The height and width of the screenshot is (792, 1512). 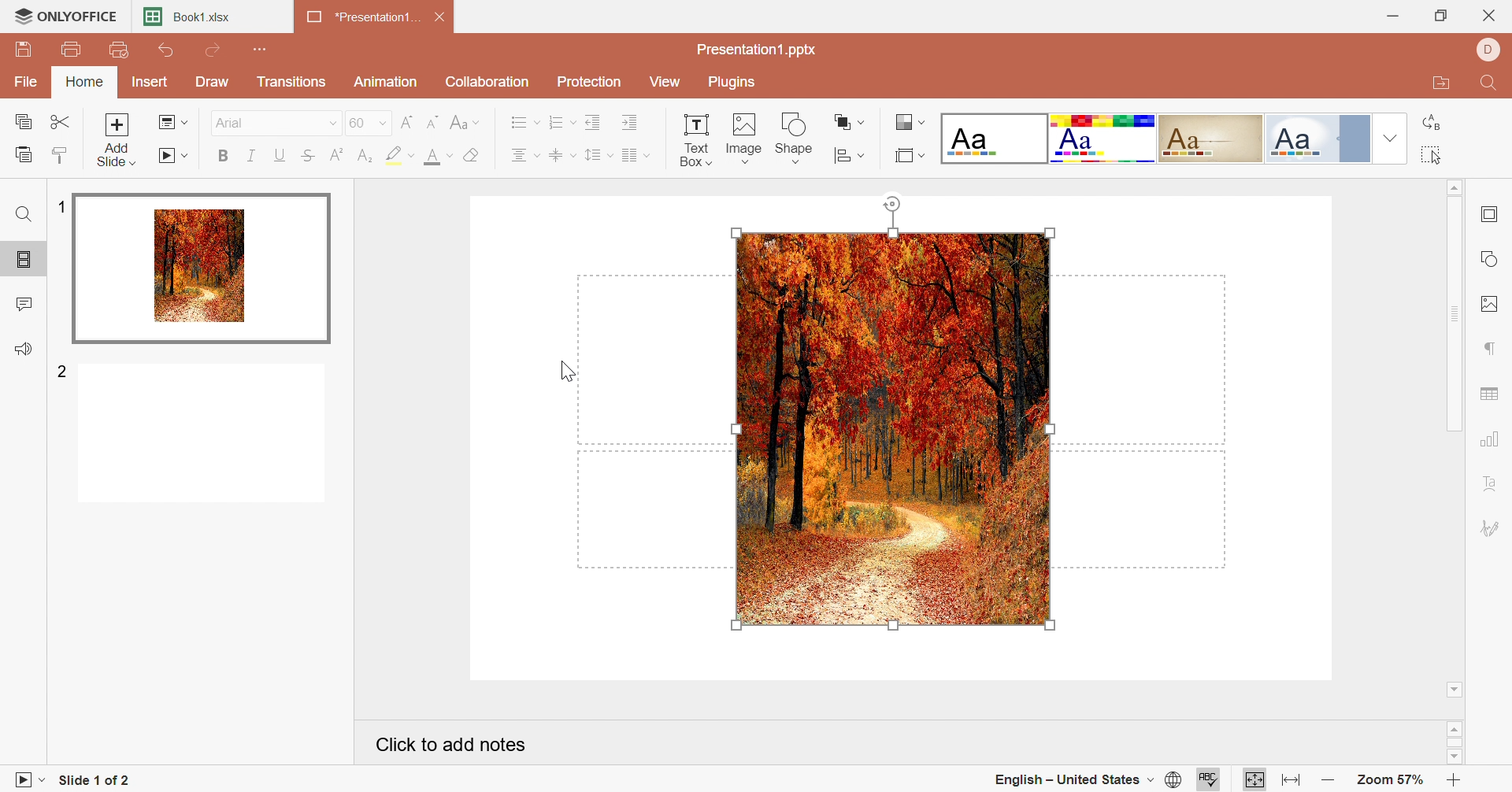 What do you see at coordinates (1288, 779) in the screenshot?
I see `Fit to width` at bounding box center [1288, 779].